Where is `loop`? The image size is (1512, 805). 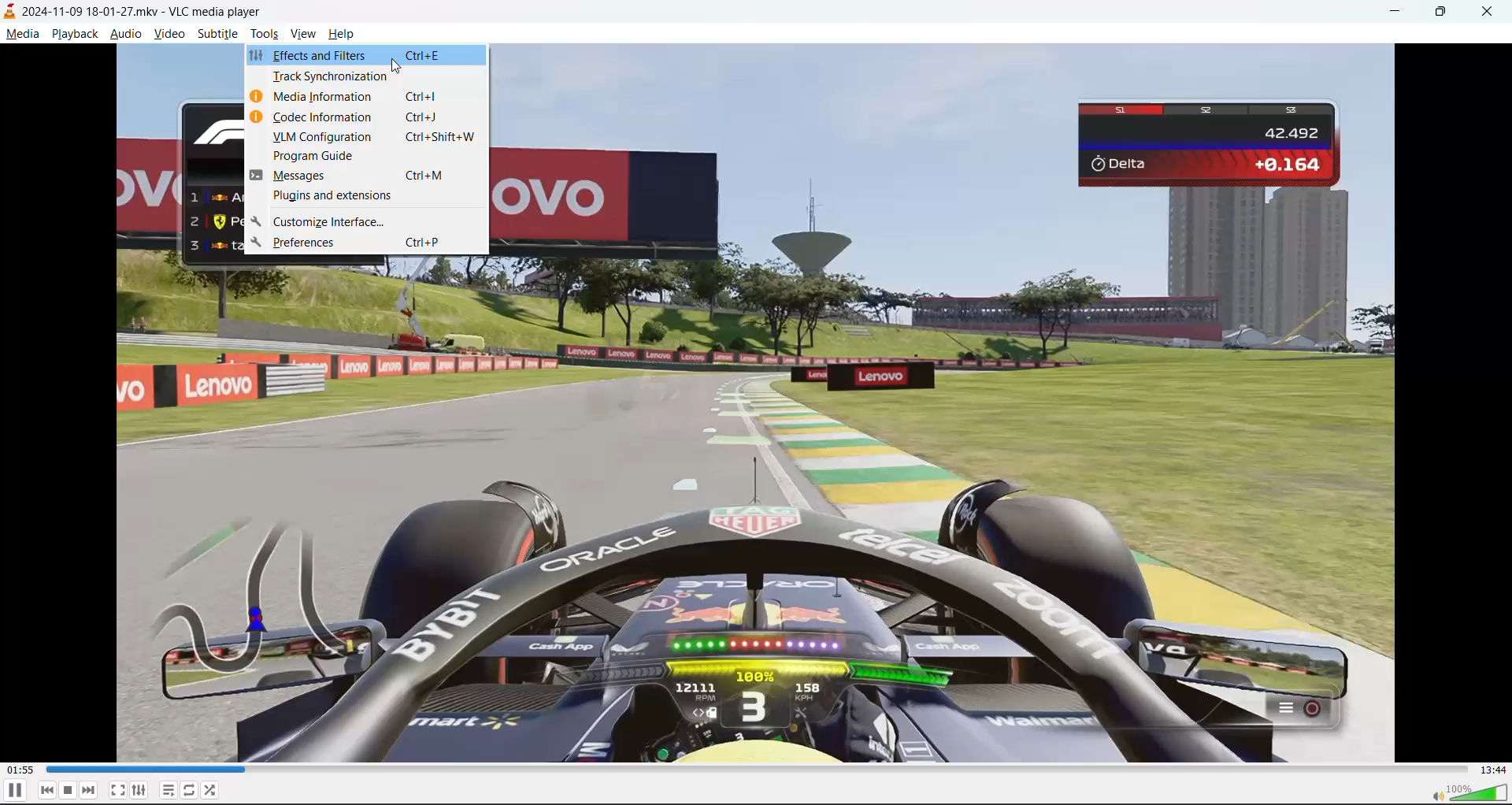 loop is located at coordinates (187, 792).